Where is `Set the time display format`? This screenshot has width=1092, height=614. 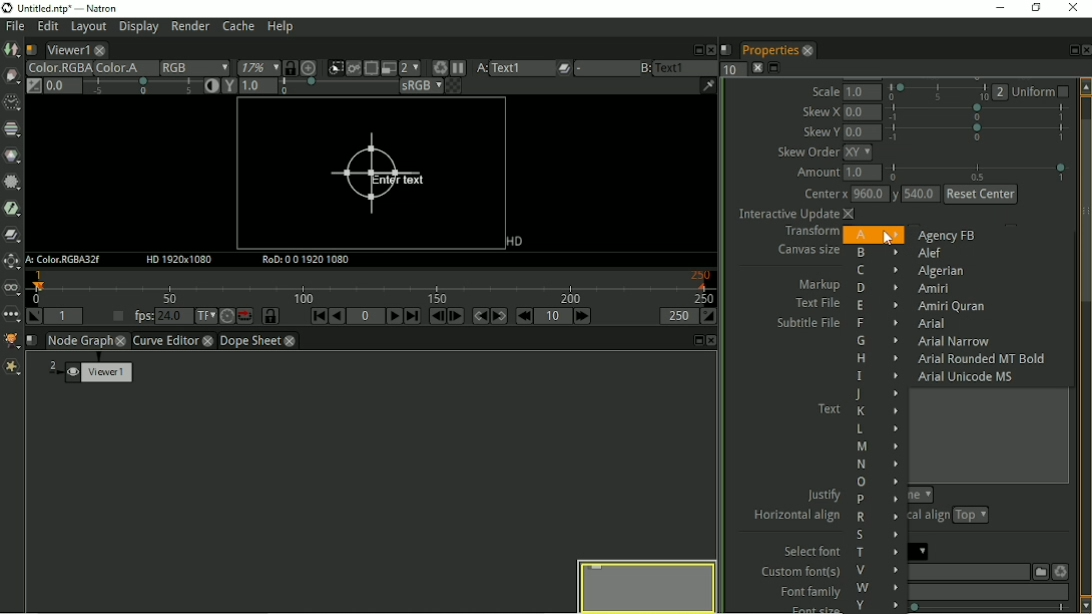
Set the time display format is located at coordinates (206, 316).